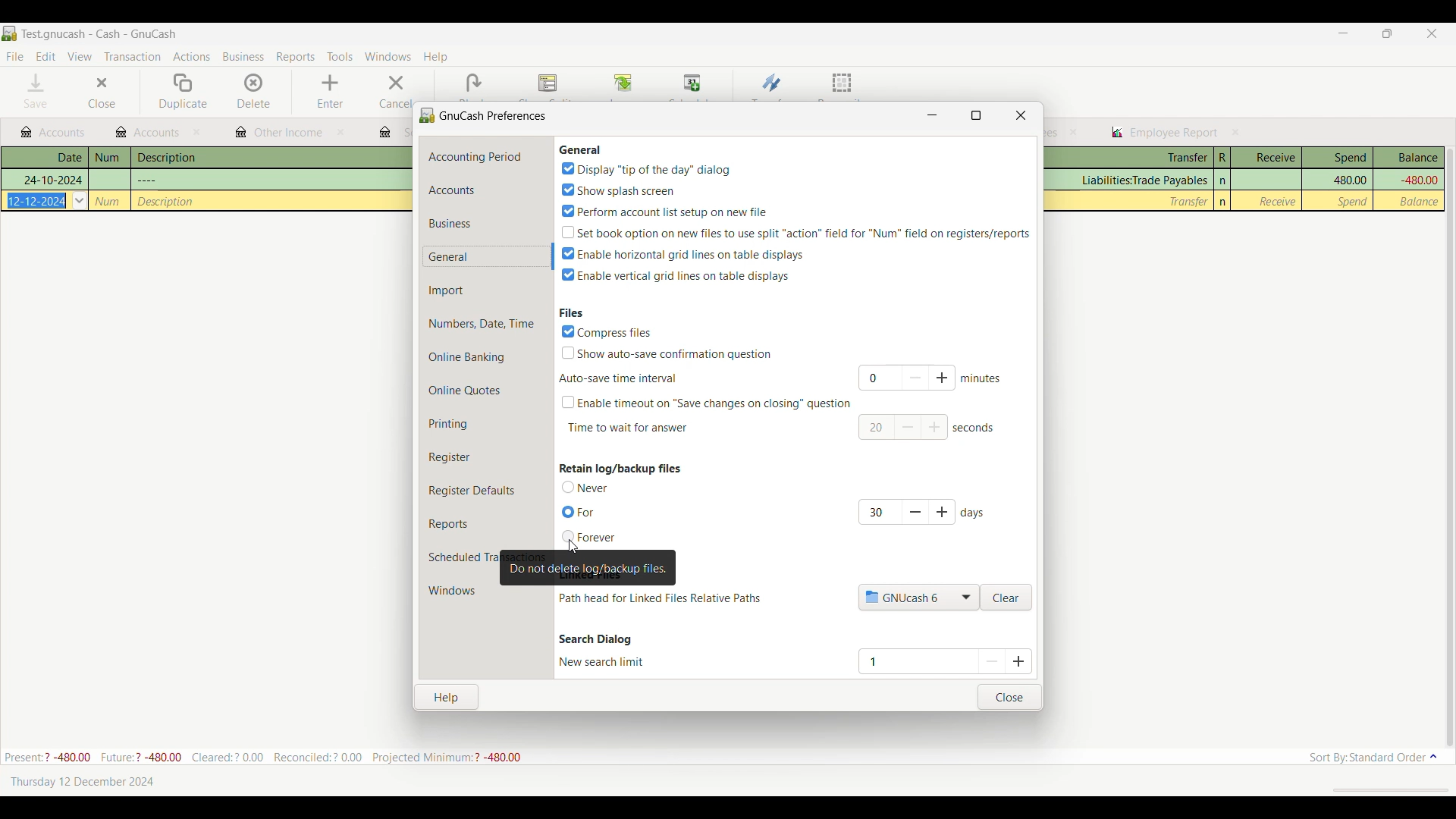 Image resolution: width=1456 pixels, height=819 pixels. Describe the element at coordinates (1421, 202) in the screenshot. I see `Balance column` at that location.